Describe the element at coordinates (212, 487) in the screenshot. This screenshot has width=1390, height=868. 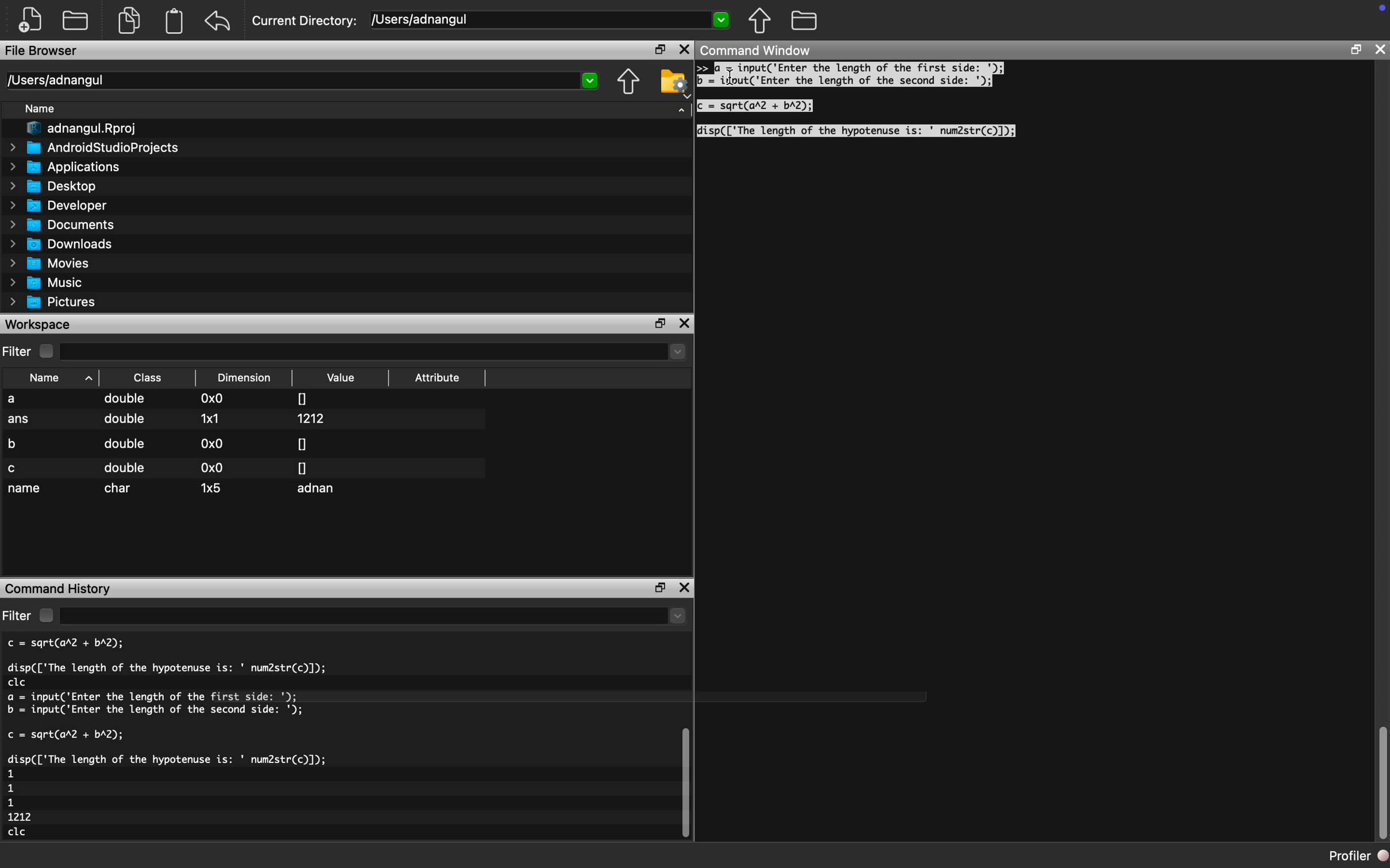
I see `1x5` at that location.